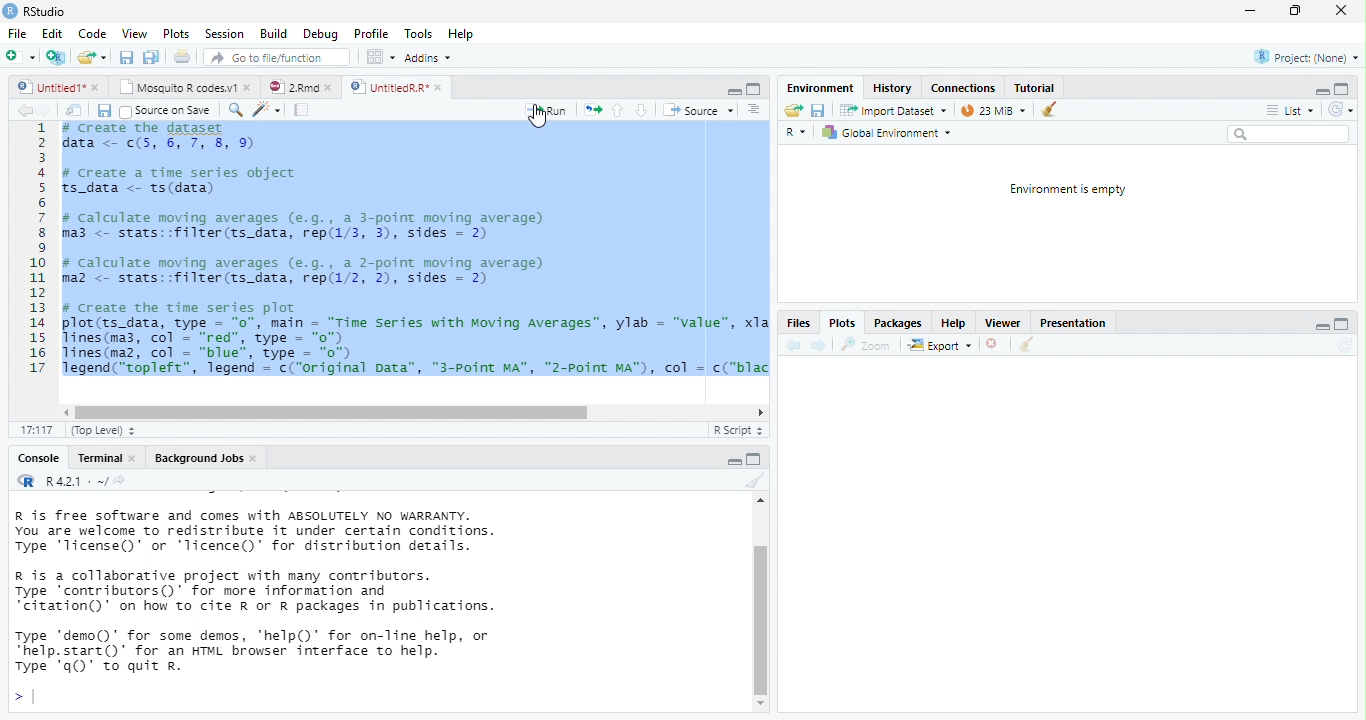 This screenshot has width=1366, height=720. Describe the element at coordinates (761, 704) in the screenshot. I see `scrollbar down` at that location.